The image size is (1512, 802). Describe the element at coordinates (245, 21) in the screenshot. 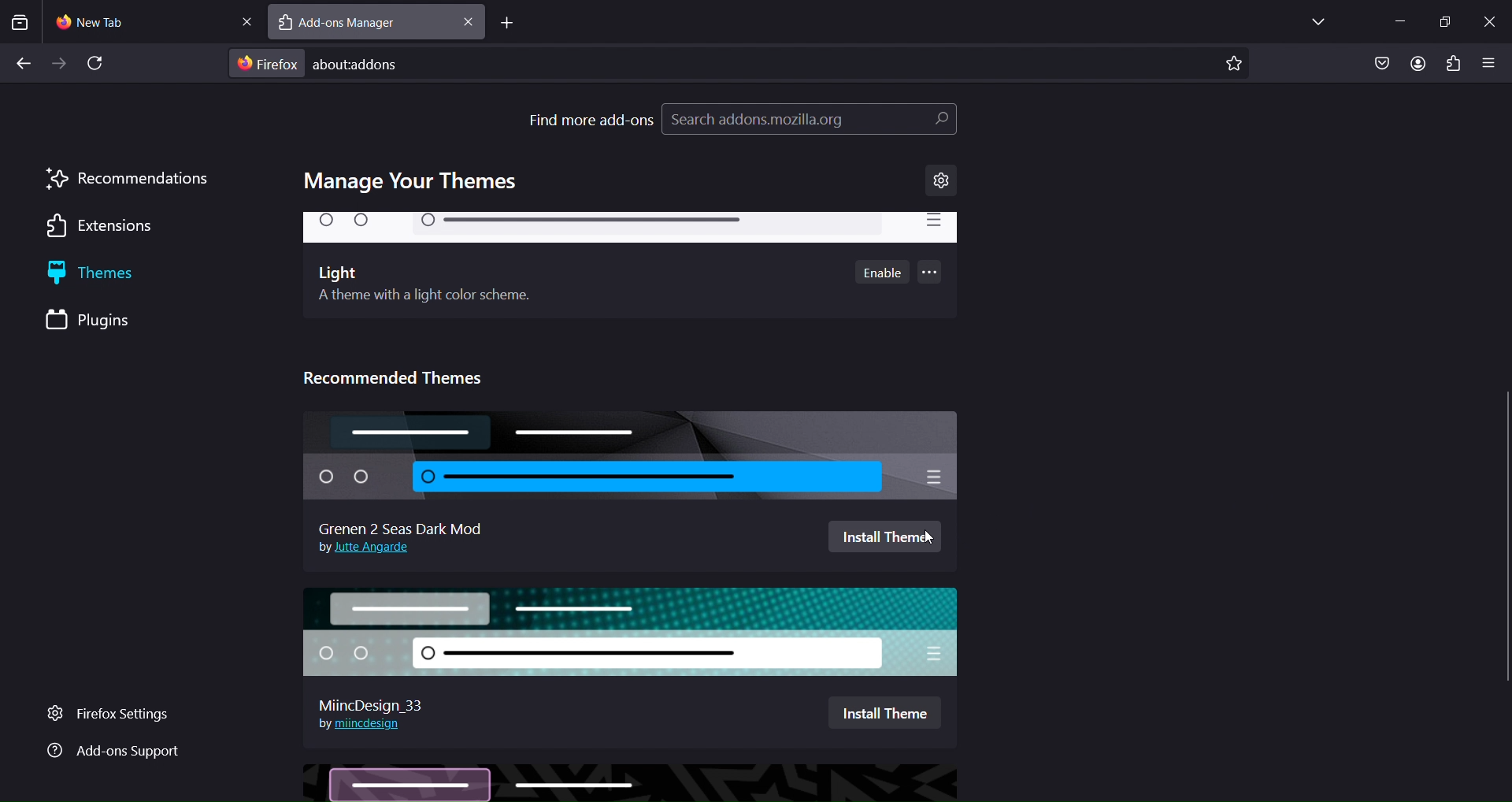

I see `close` at that location.